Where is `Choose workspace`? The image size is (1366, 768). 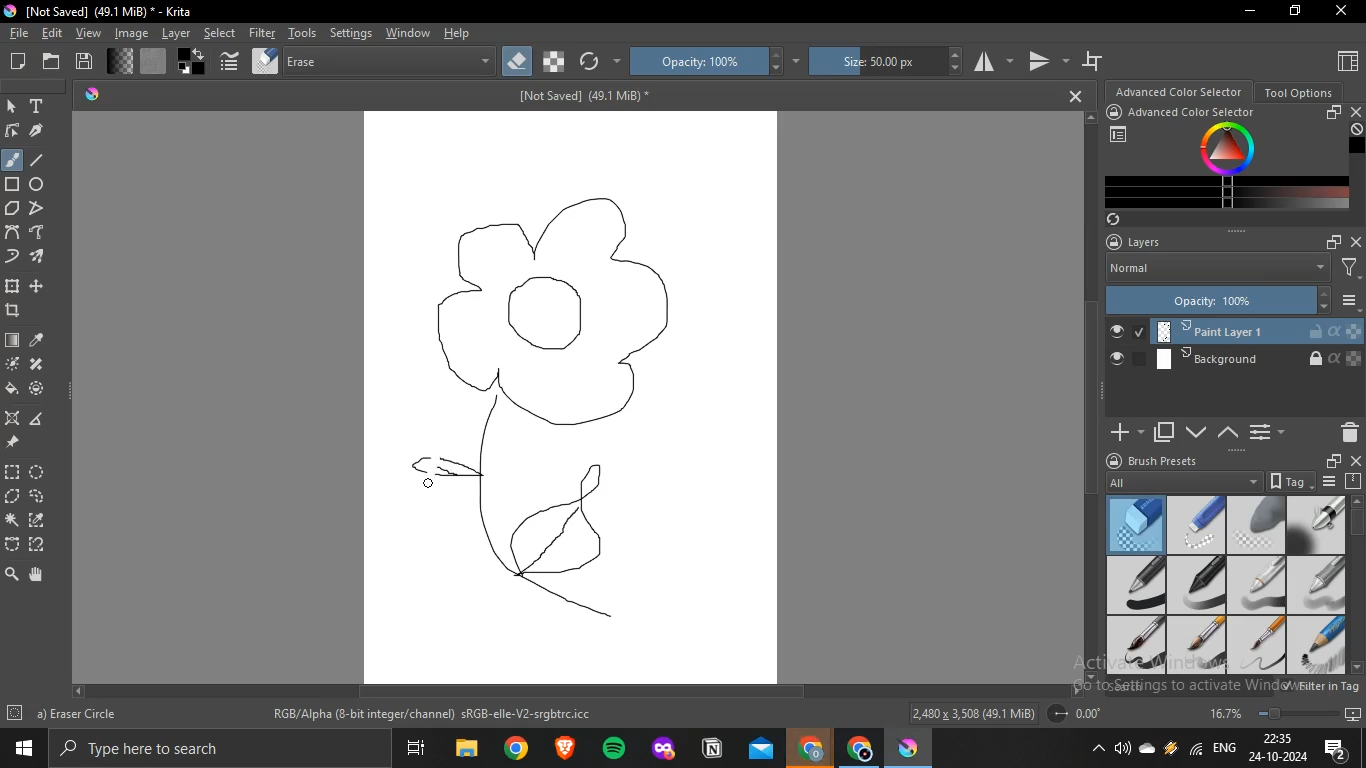
Choose workspace is located at coordinates (1346, 60).